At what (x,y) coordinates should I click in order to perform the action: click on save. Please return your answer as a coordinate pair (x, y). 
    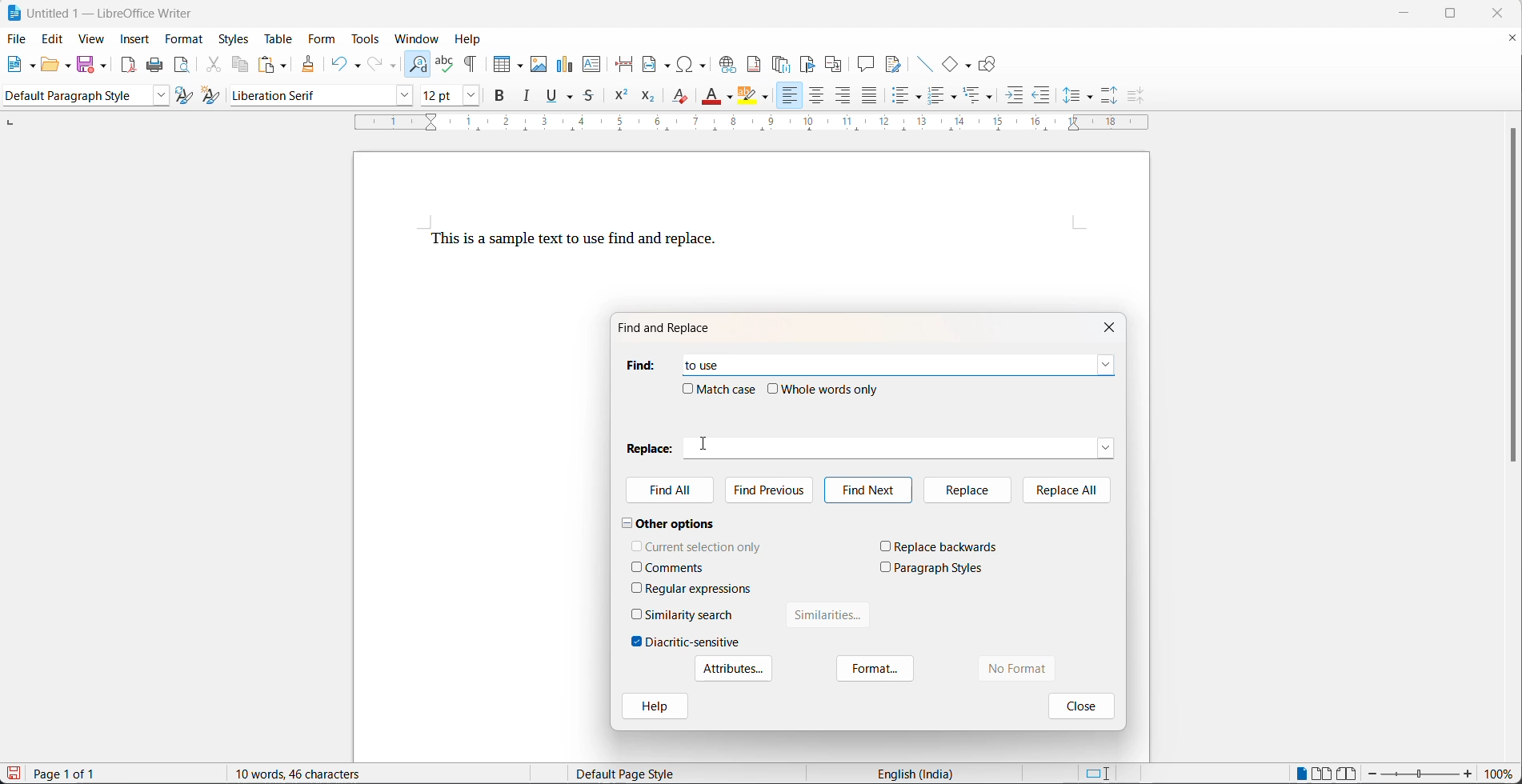
    Looking at the image, I should click on (86, 63).